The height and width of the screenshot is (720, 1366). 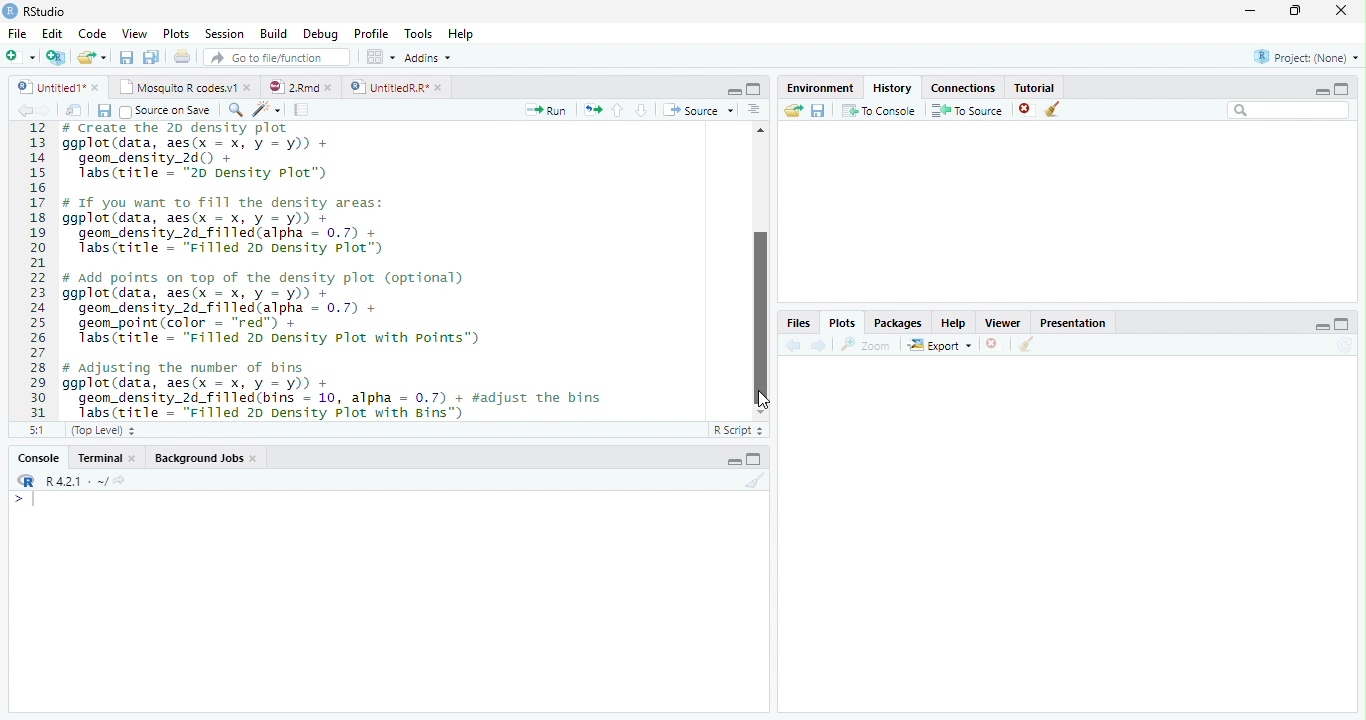 I want to click on minimize, so click(x=1323, y=326).